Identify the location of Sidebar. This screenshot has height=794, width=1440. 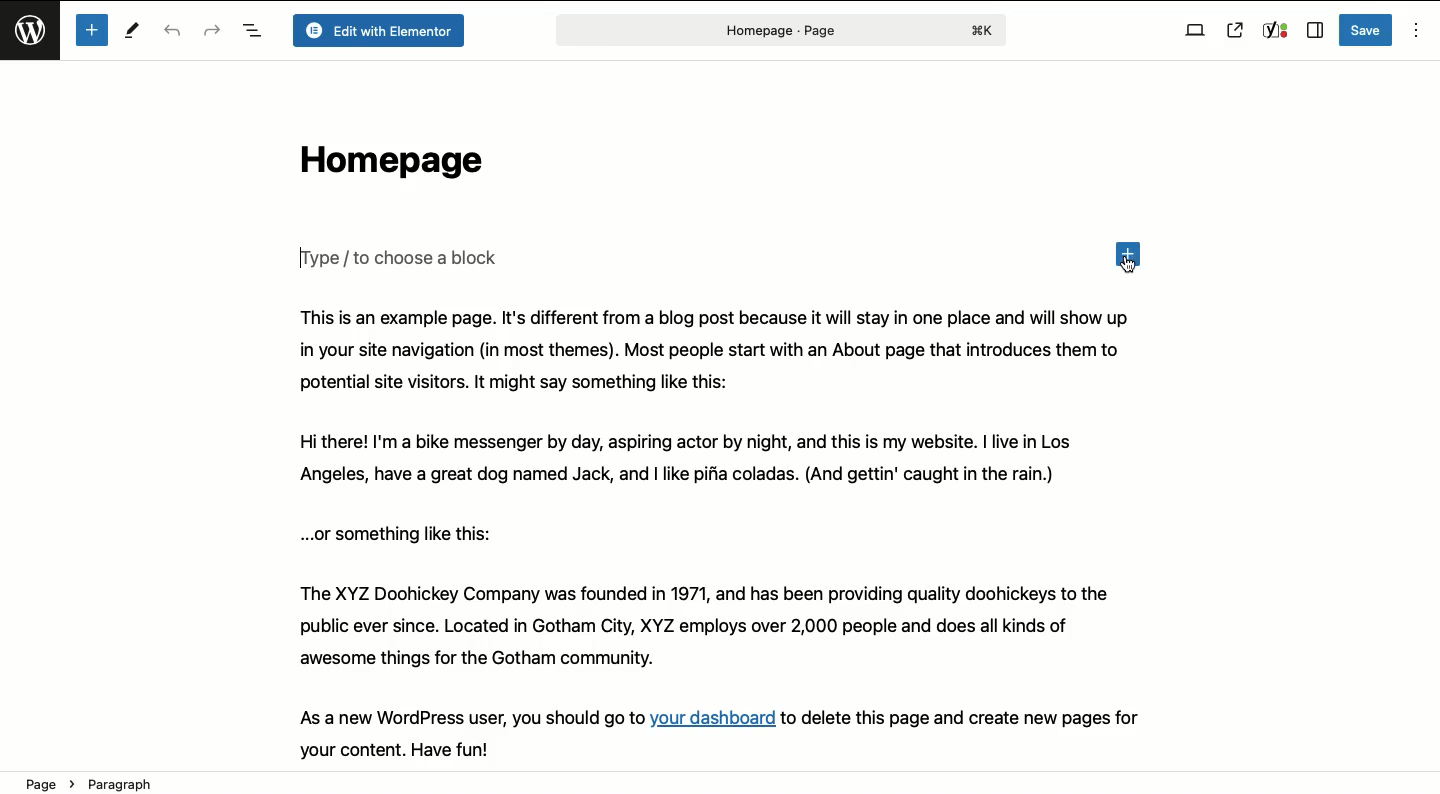
(1314, 31).